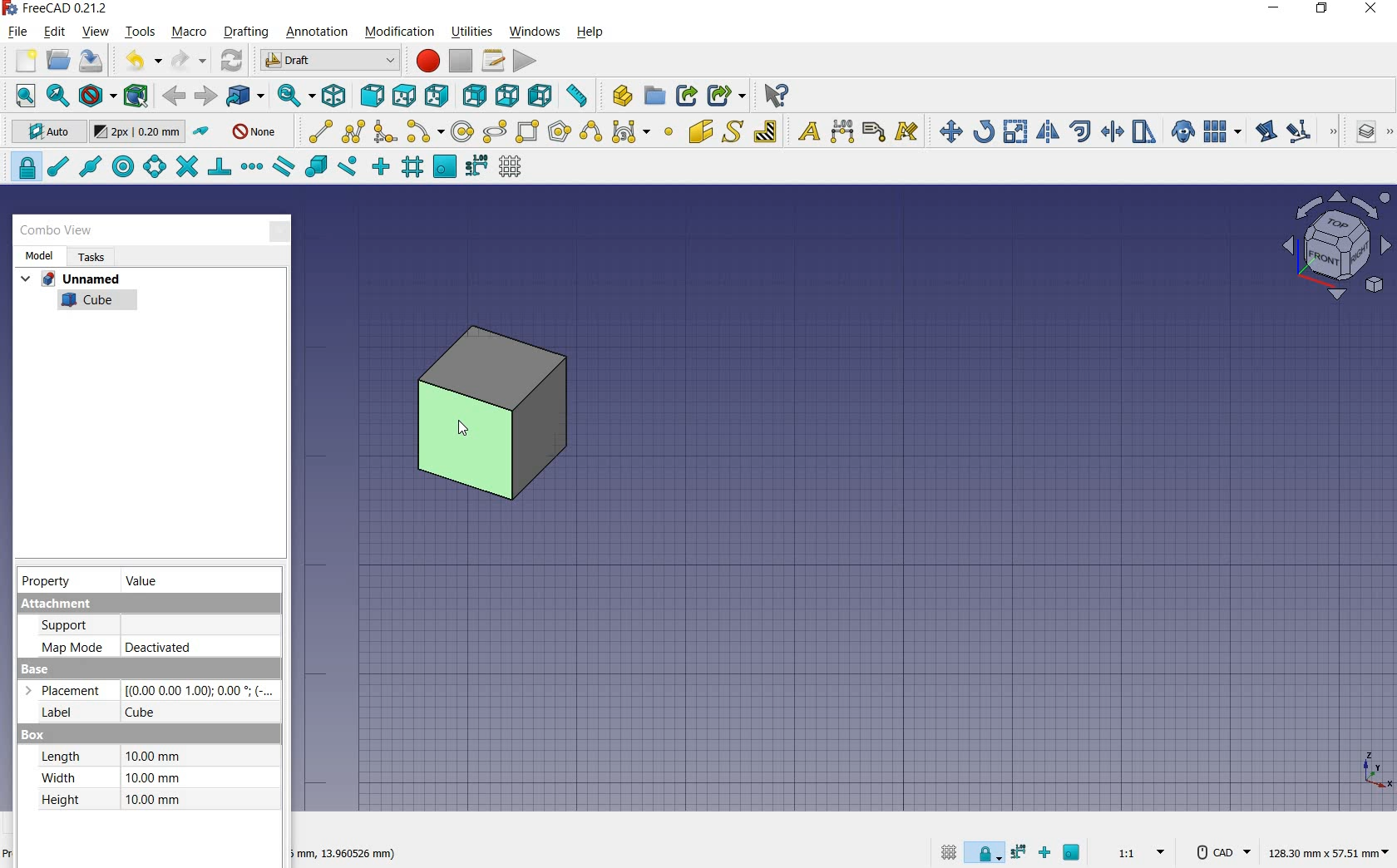  I want to click on minimize, so click(1275, 10).